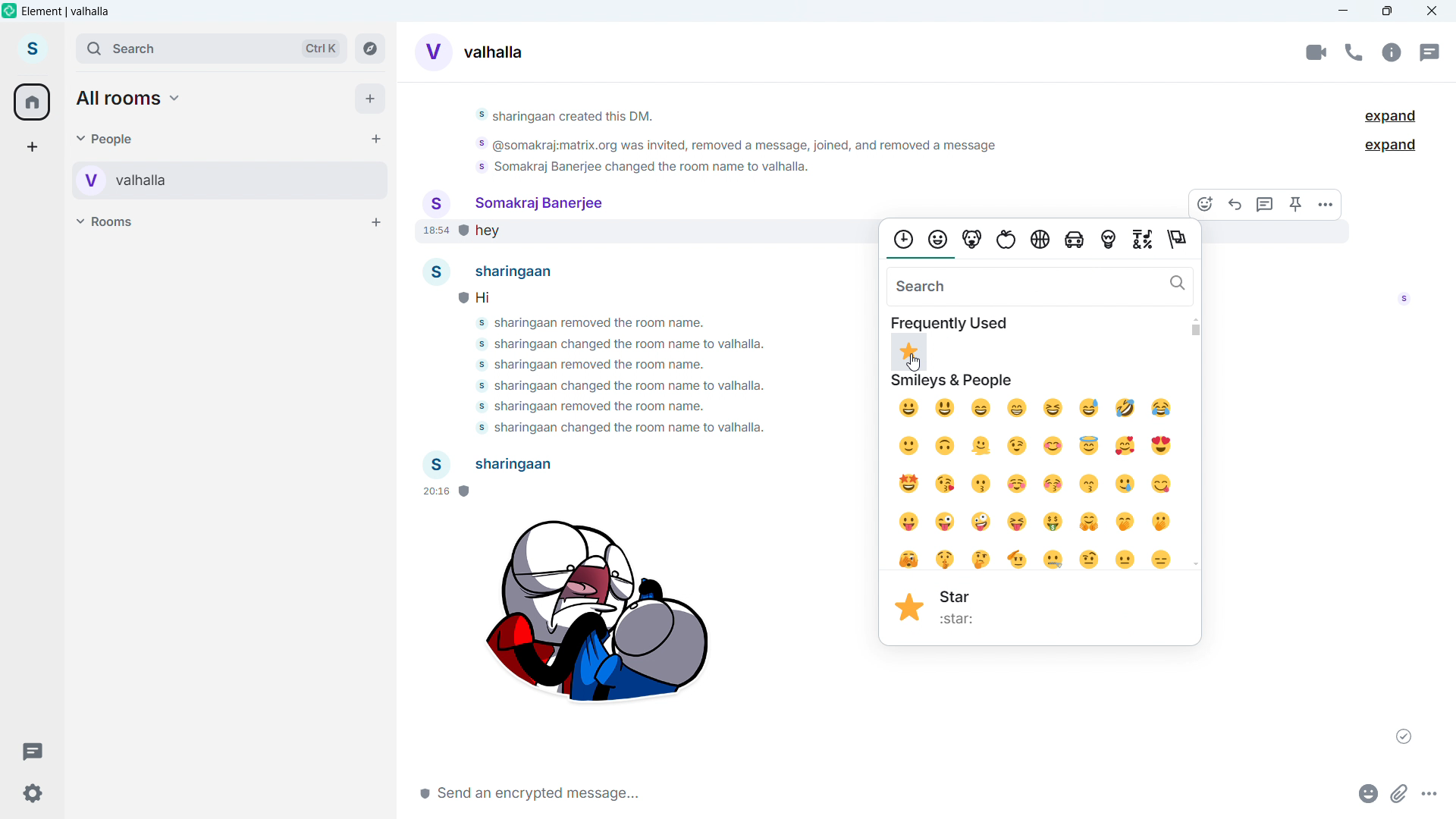 The width and height of the screenshot is (1456, 819). I want to click on sharinggaan removed the room name, so click(611, 325).